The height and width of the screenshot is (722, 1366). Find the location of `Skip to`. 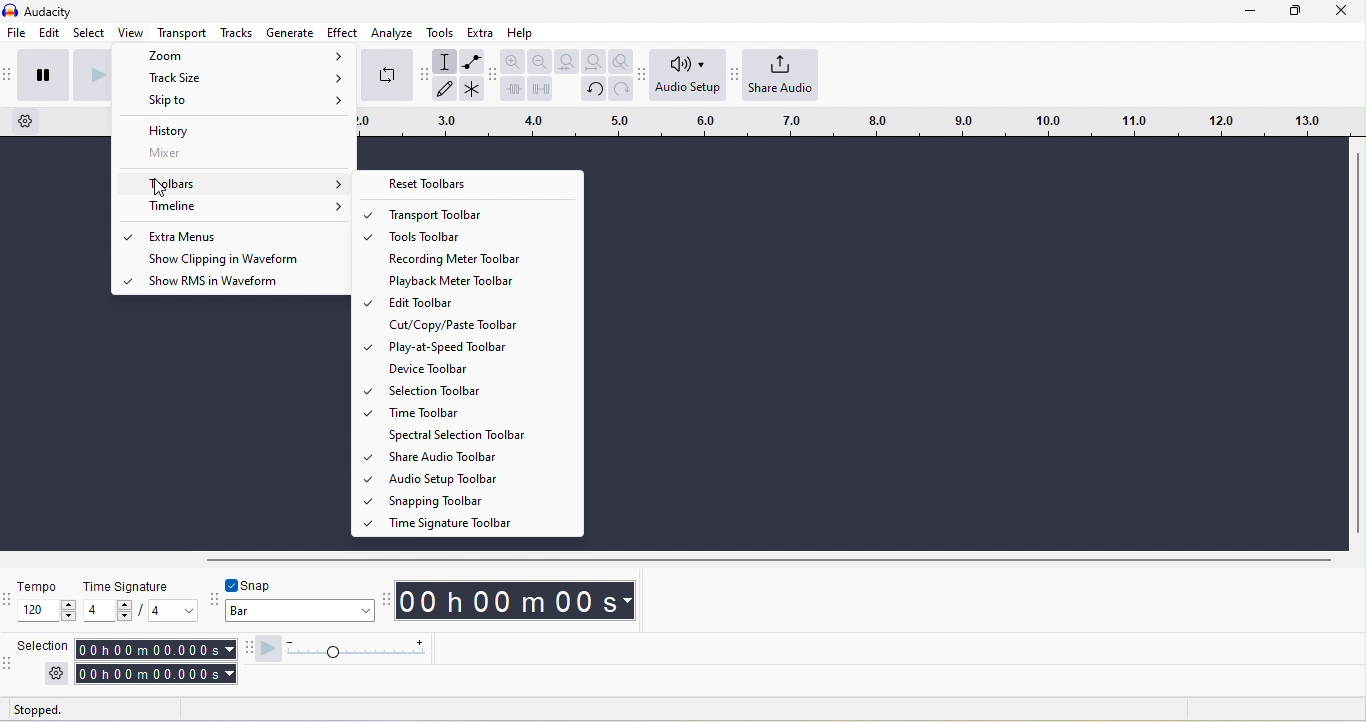

Skip to is located at coordinates (233, 101).